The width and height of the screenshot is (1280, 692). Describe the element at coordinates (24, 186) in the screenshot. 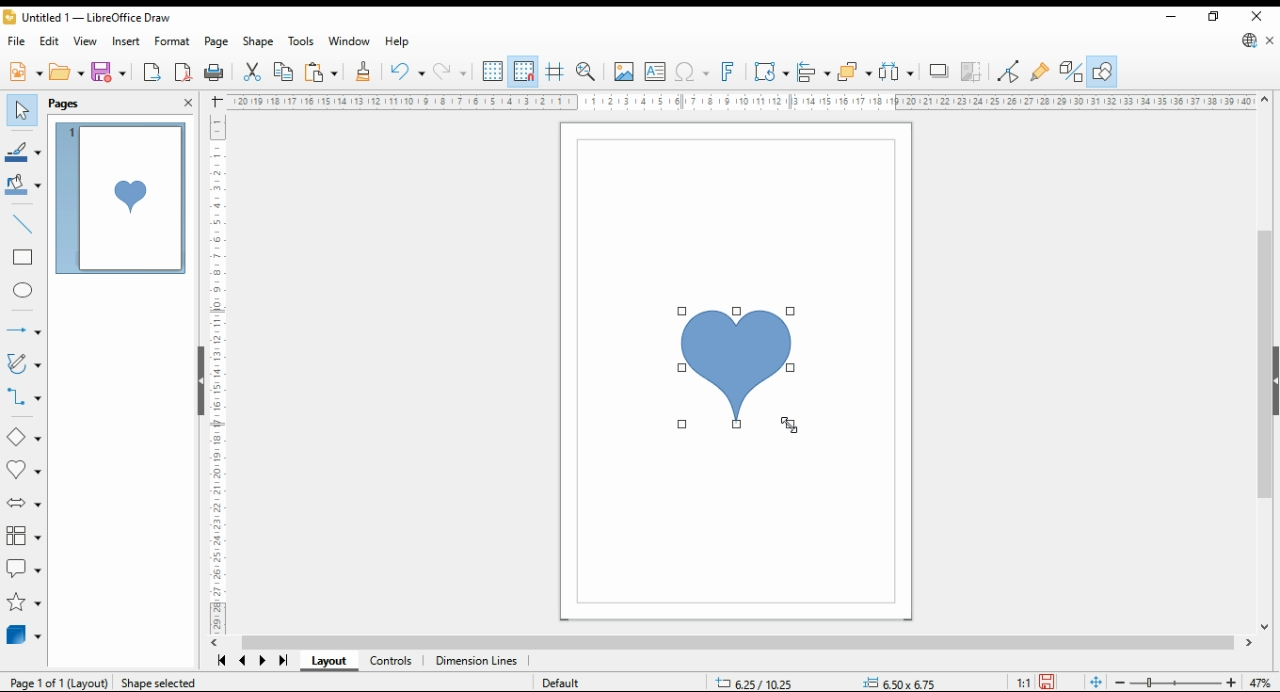

I see `fill color` at that location.